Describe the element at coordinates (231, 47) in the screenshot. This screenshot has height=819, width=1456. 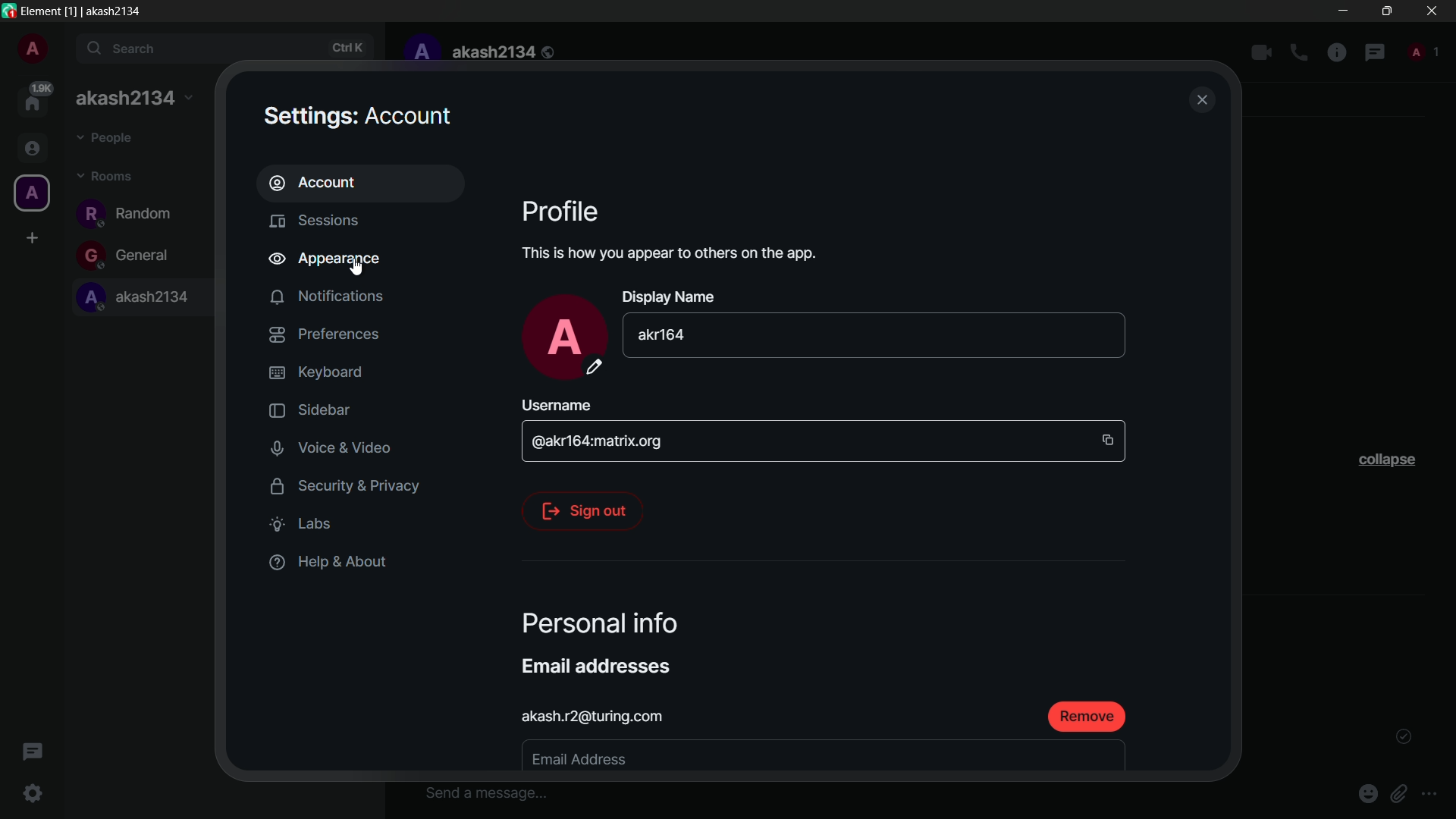
I see `search bar` at that location.